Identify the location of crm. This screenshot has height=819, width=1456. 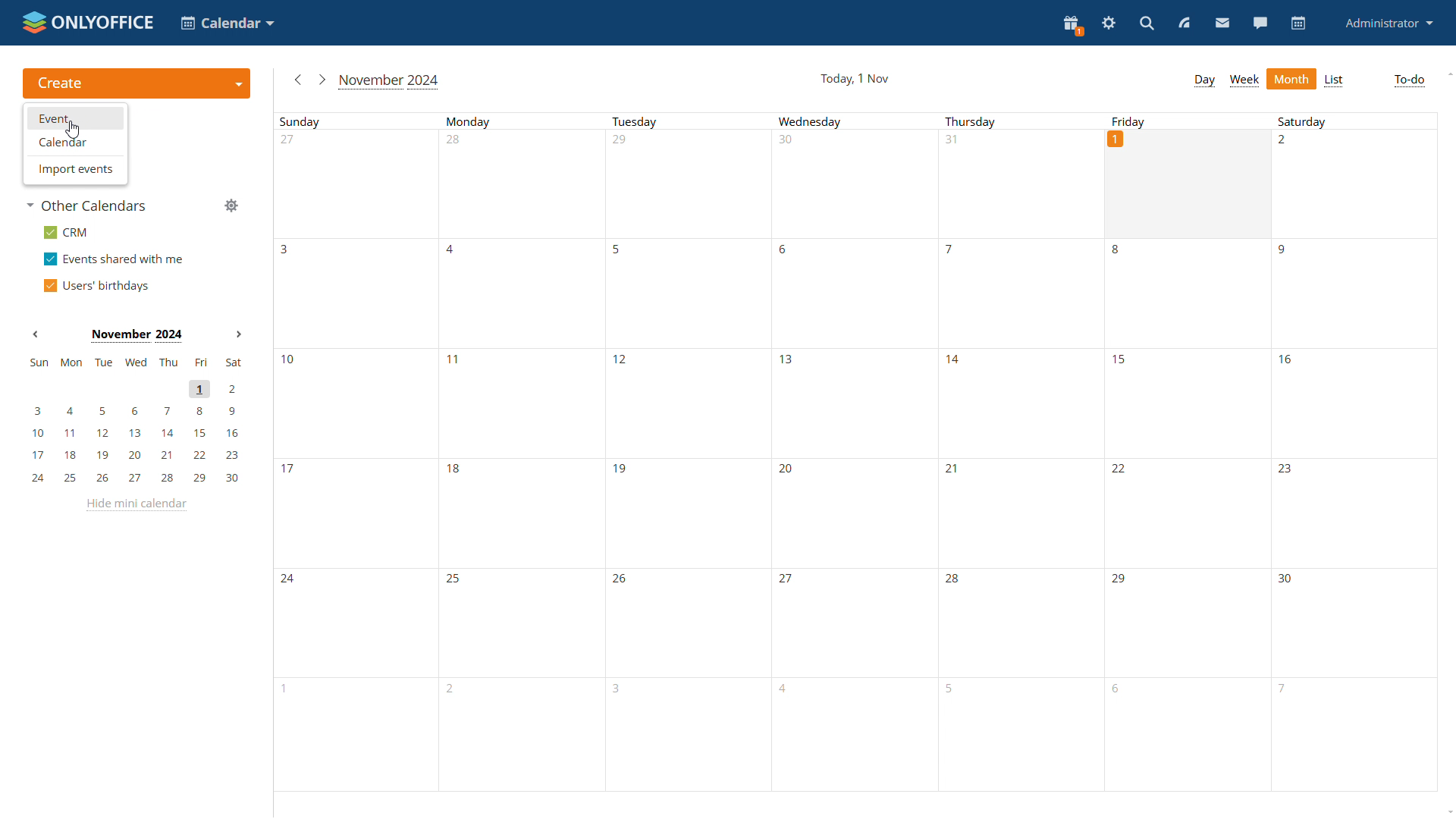
(67, 232).